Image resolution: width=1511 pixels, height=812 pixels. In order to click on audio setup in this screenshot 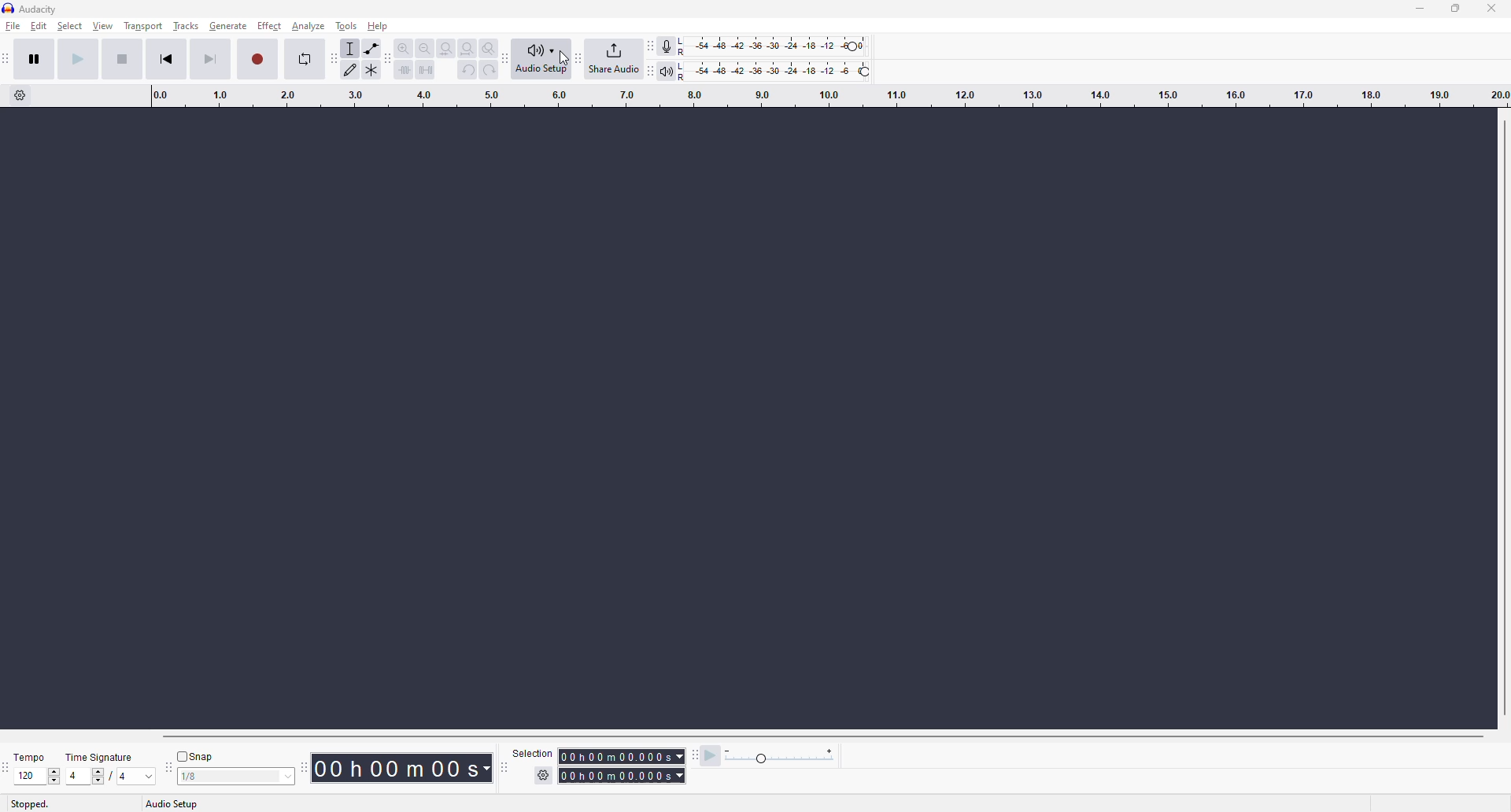, I will do `click(539, 57)`.